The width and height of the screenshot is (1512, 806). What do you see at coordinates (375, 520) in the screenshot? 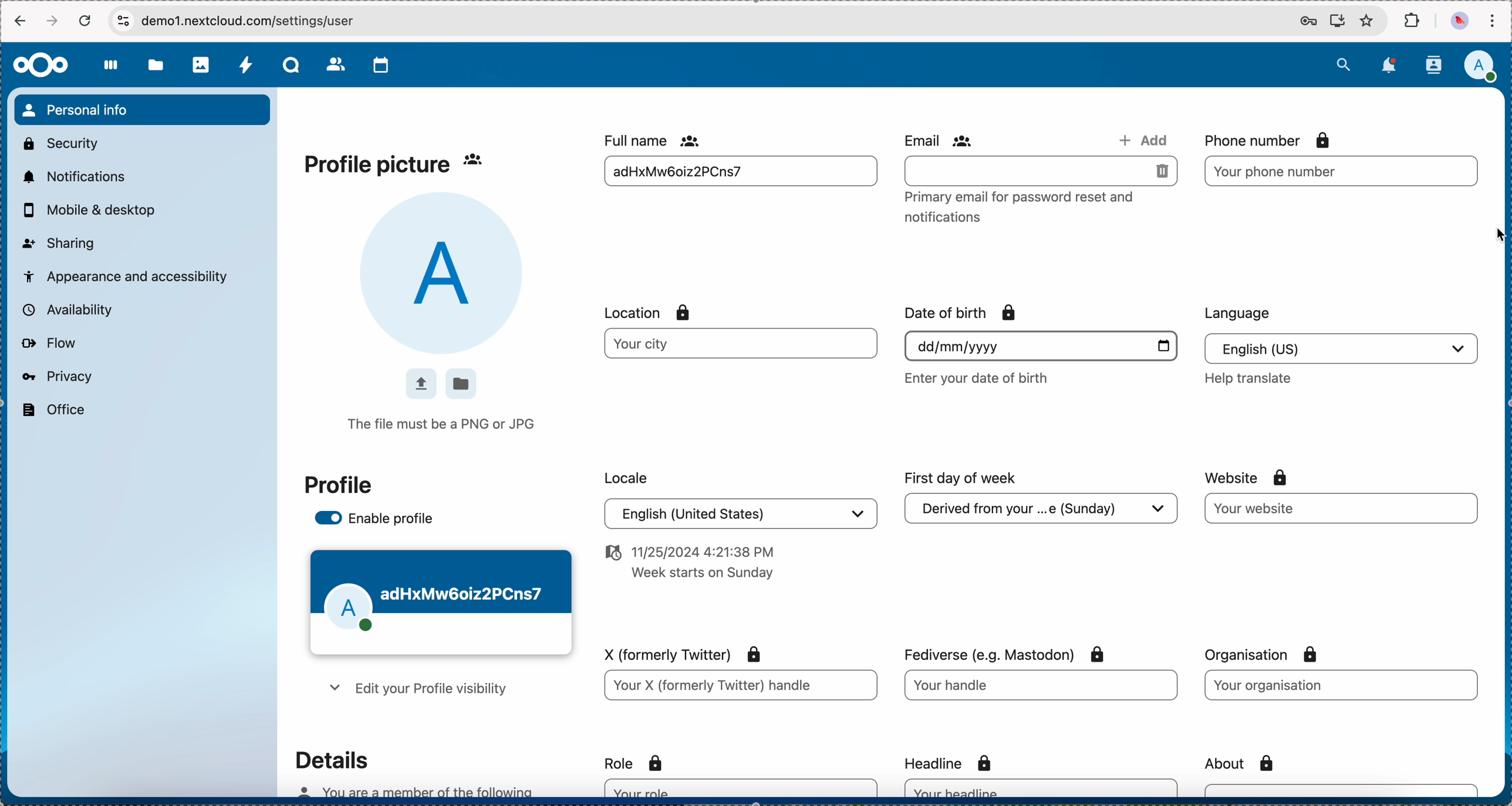
I see `enable profile` at bounding box center [375, 520].